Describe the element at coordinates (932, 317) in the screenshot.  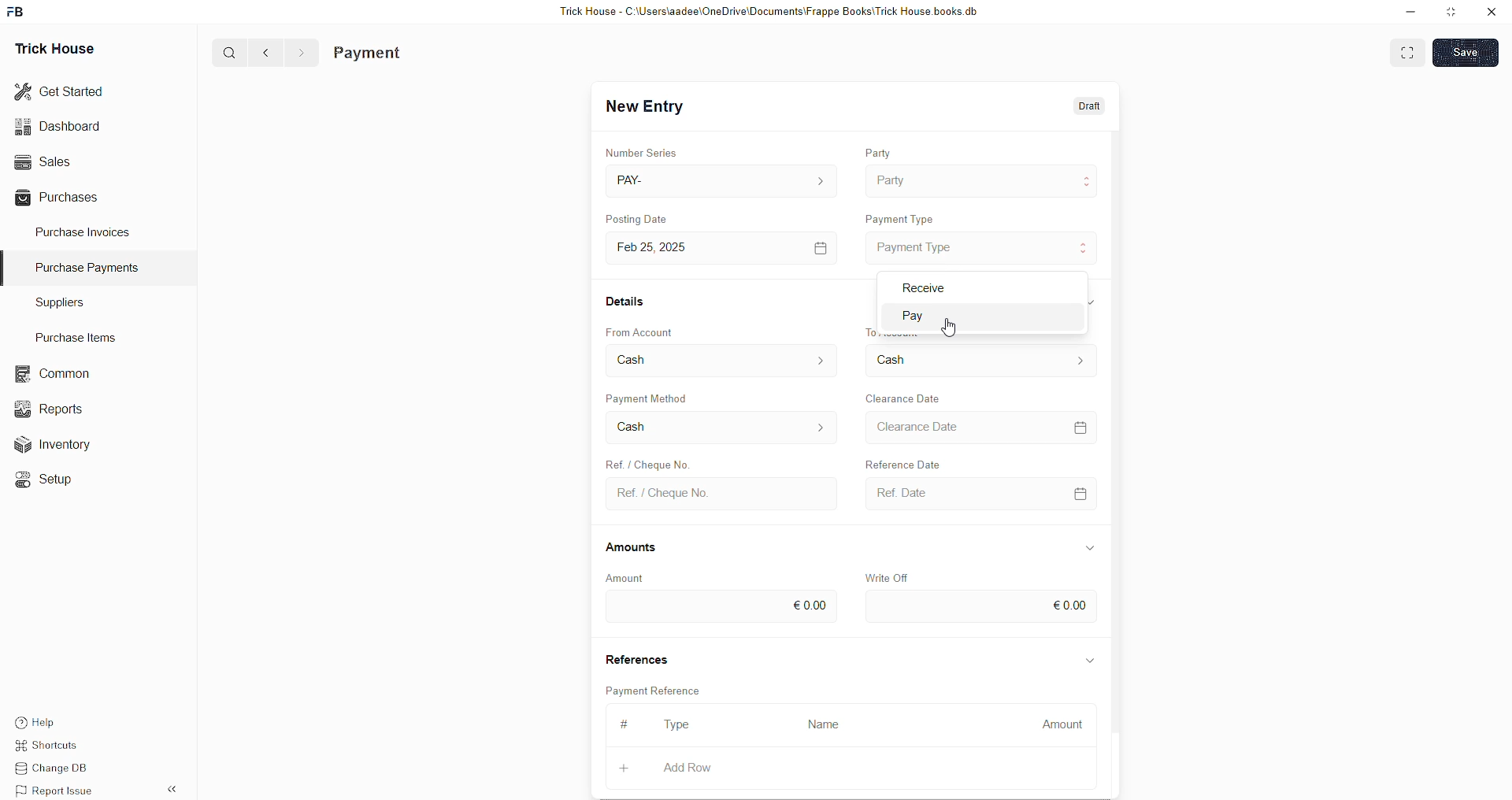
I see `Pay` at that location.